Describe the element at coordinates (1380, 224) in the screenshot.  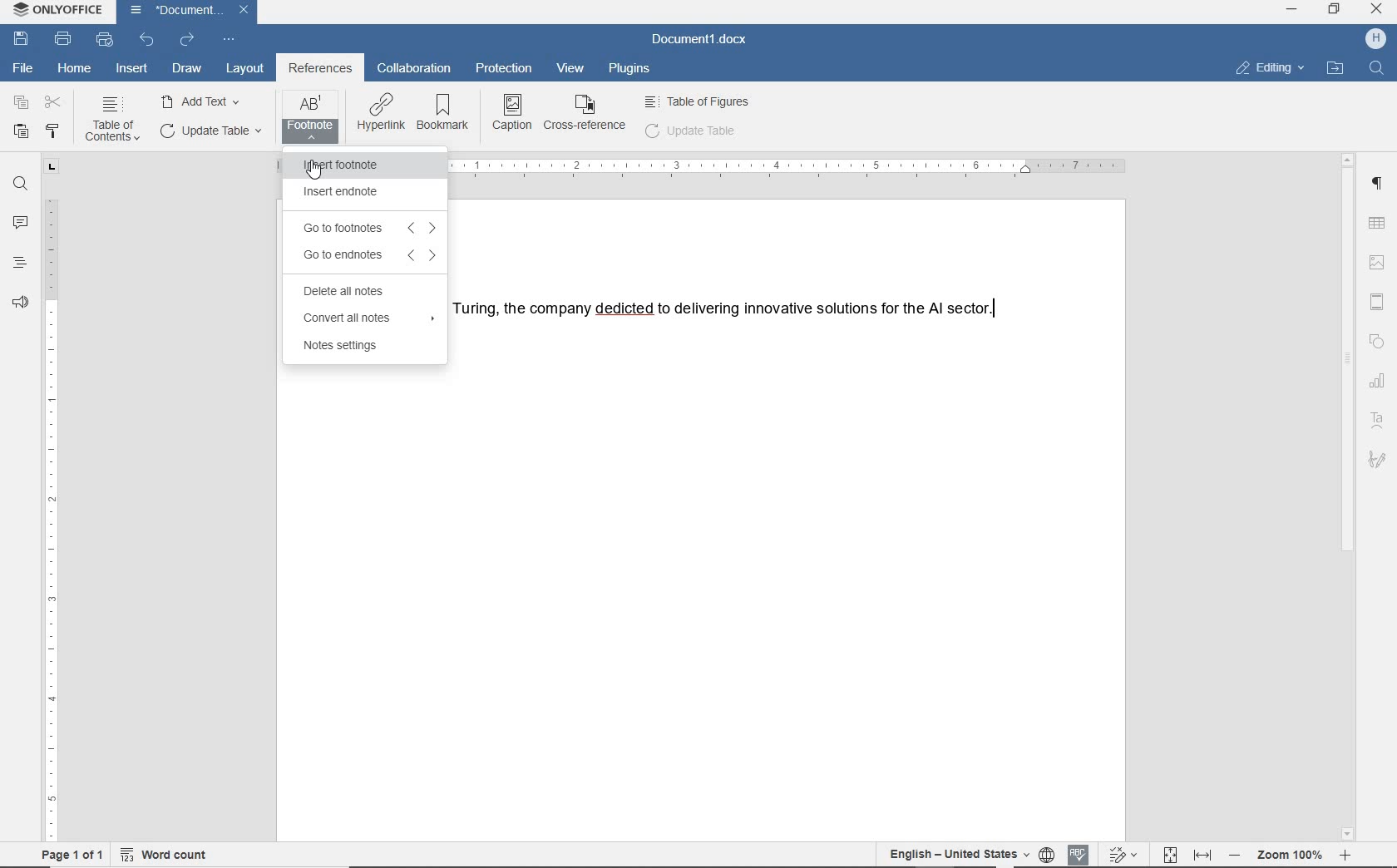
I see `TABLE` at that location.